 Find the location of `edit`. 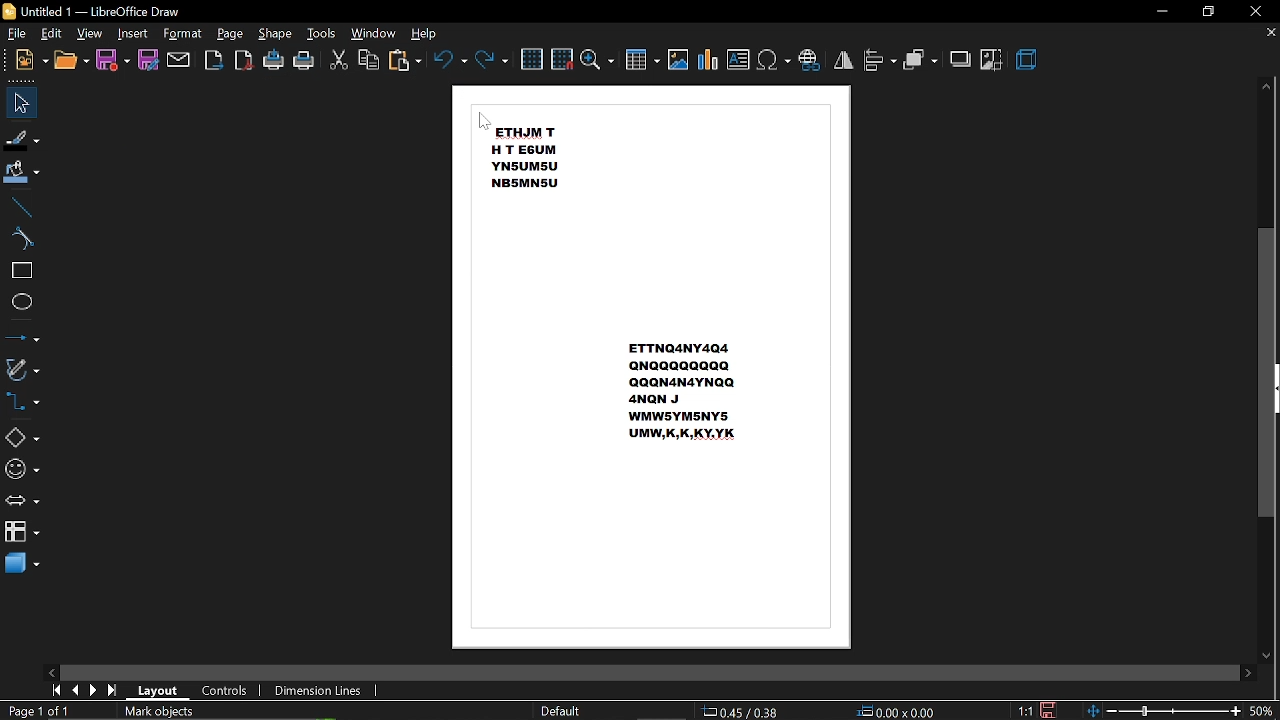

edit is located at coordinates (53, 34).